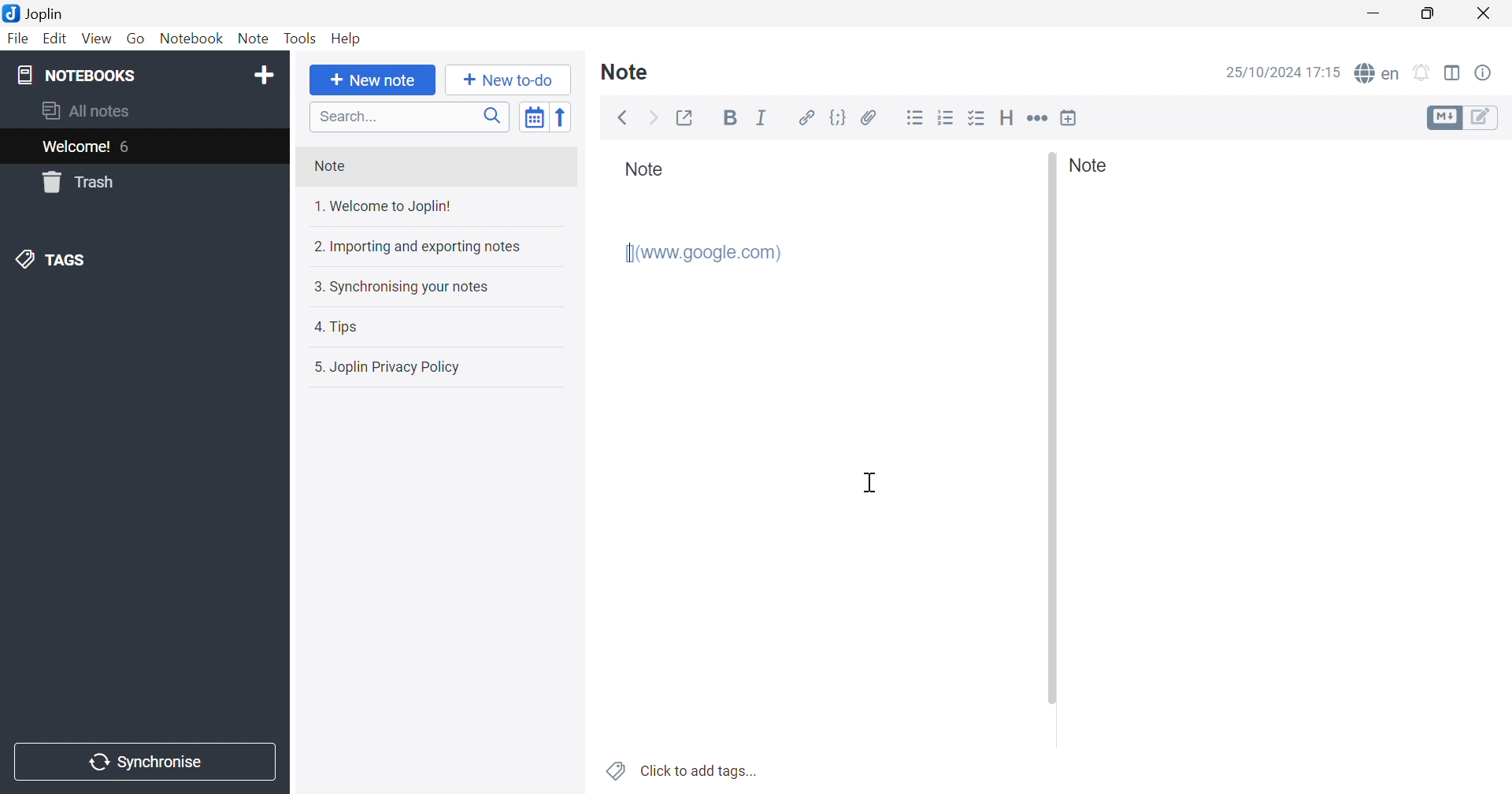  Describe the element at coordinates (1484, 13) in the screenshot. I see `Close` at that location.